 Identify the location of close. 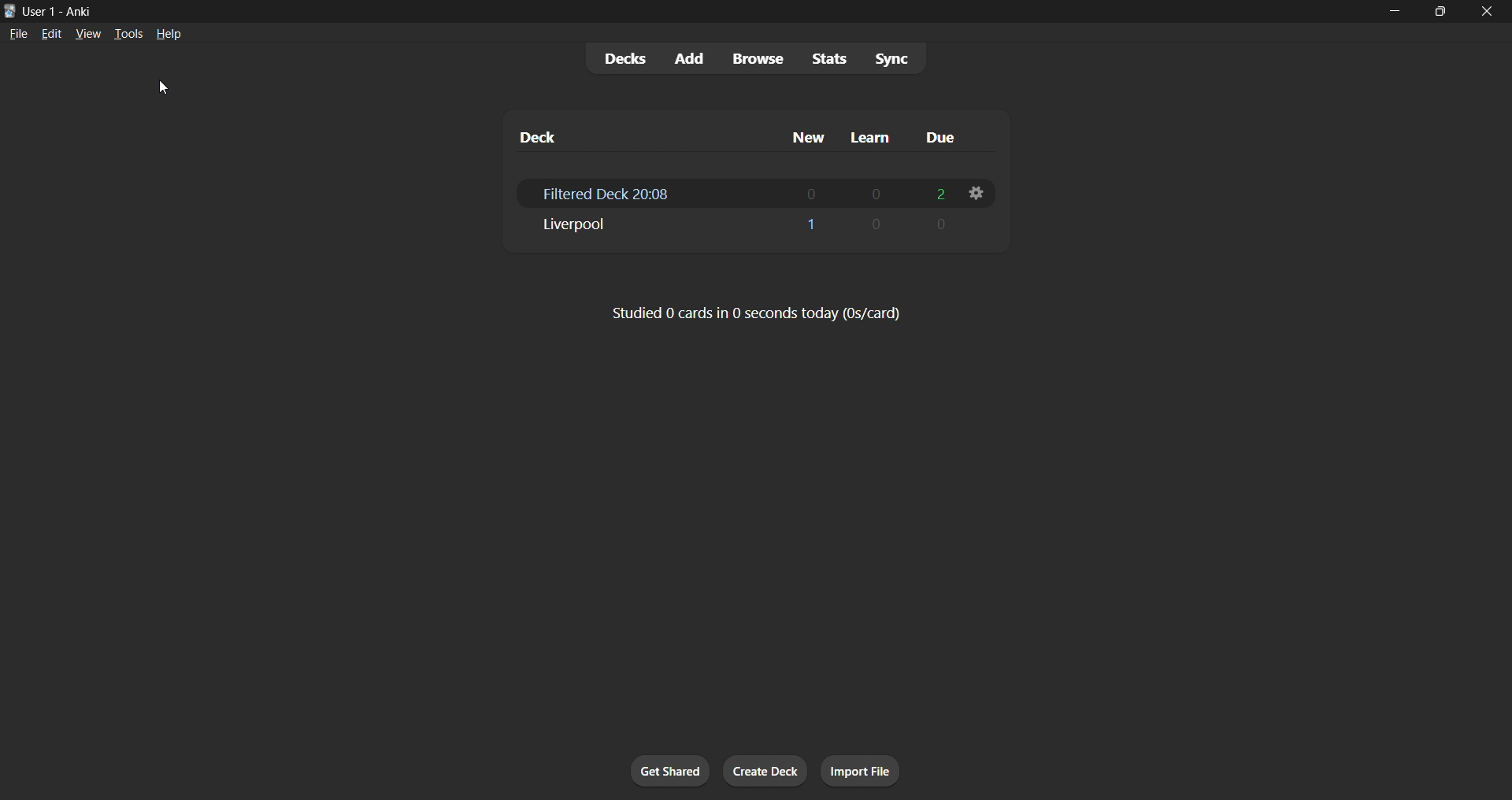
(1487, 11).